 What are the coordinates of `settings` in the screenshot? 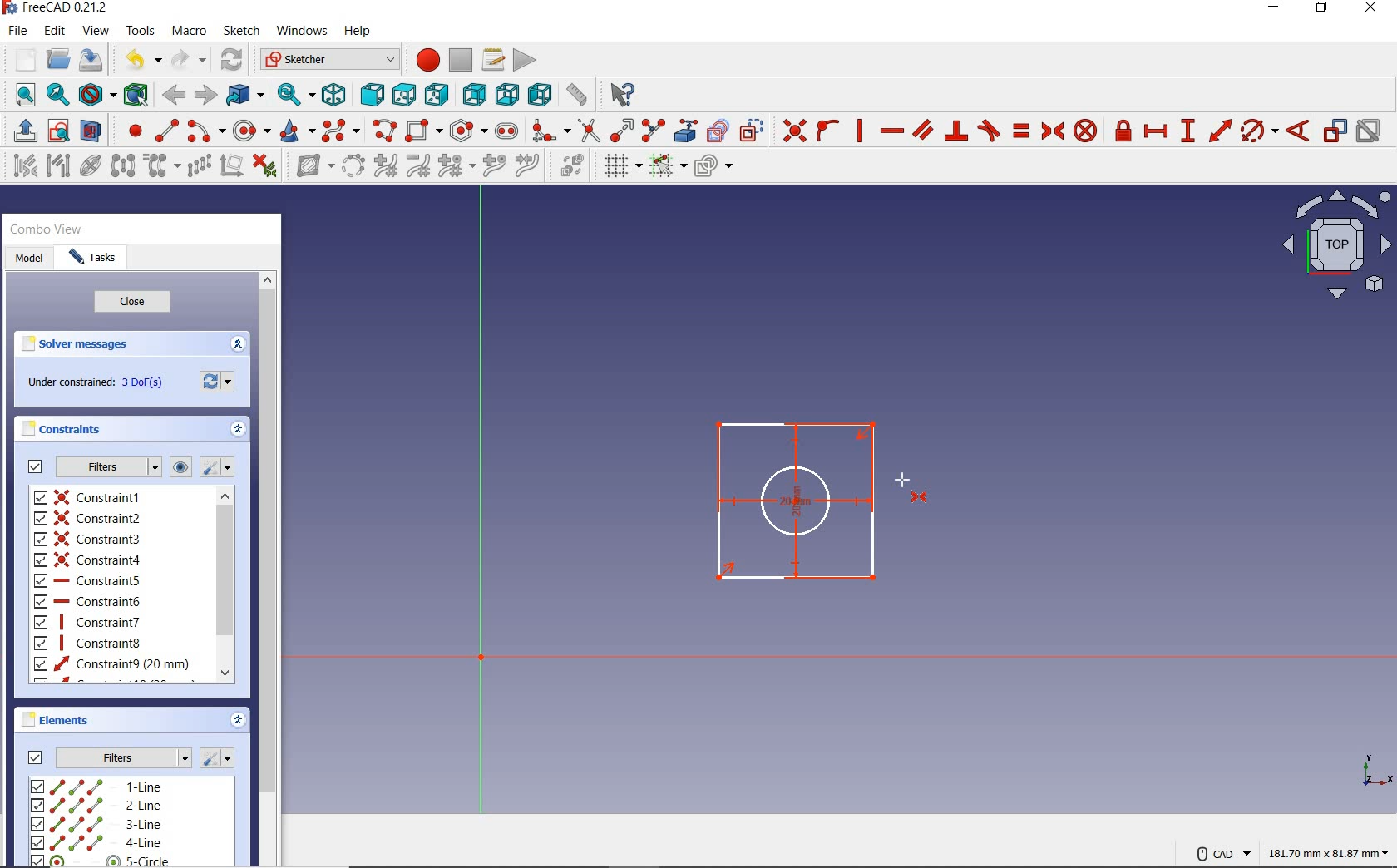 It's located at (220, 757).